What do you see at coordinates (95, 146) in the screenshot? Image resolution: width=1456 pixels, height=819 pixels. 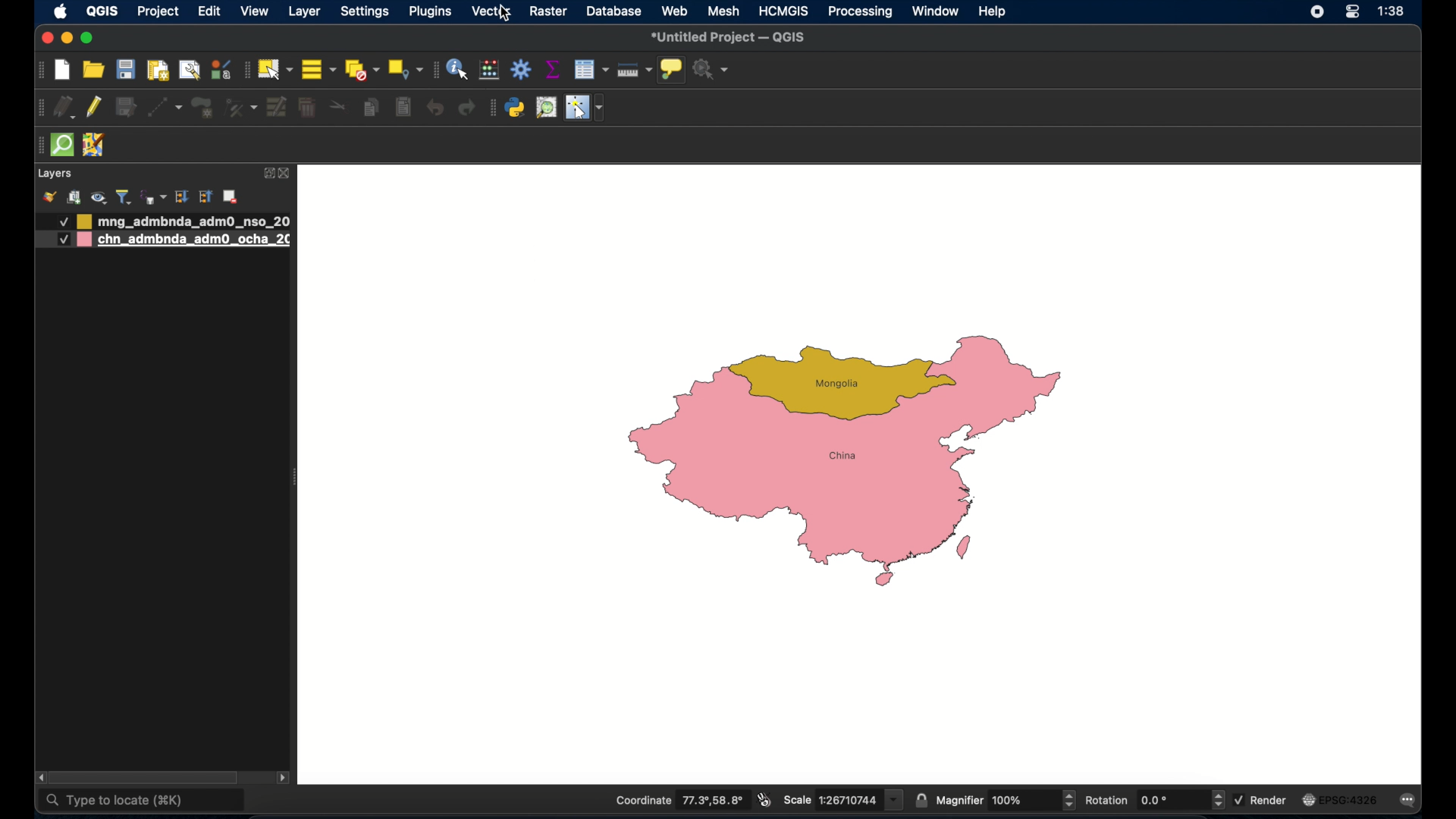 I see `josh remote` at bounding box center [95, 146].